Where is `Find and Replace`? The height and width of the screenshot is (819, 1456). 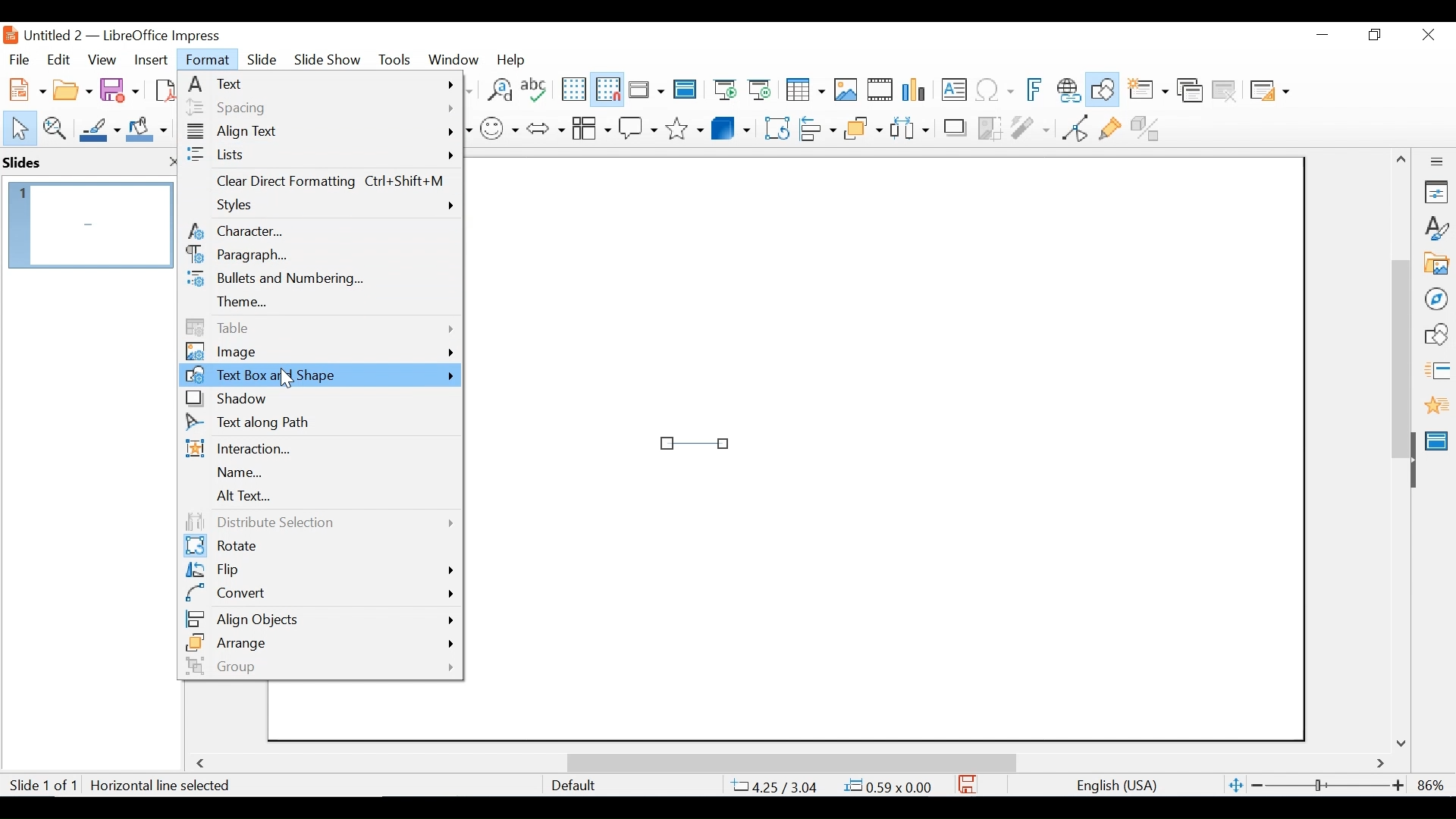
Find and Replace is located at coordinates (499, 89).